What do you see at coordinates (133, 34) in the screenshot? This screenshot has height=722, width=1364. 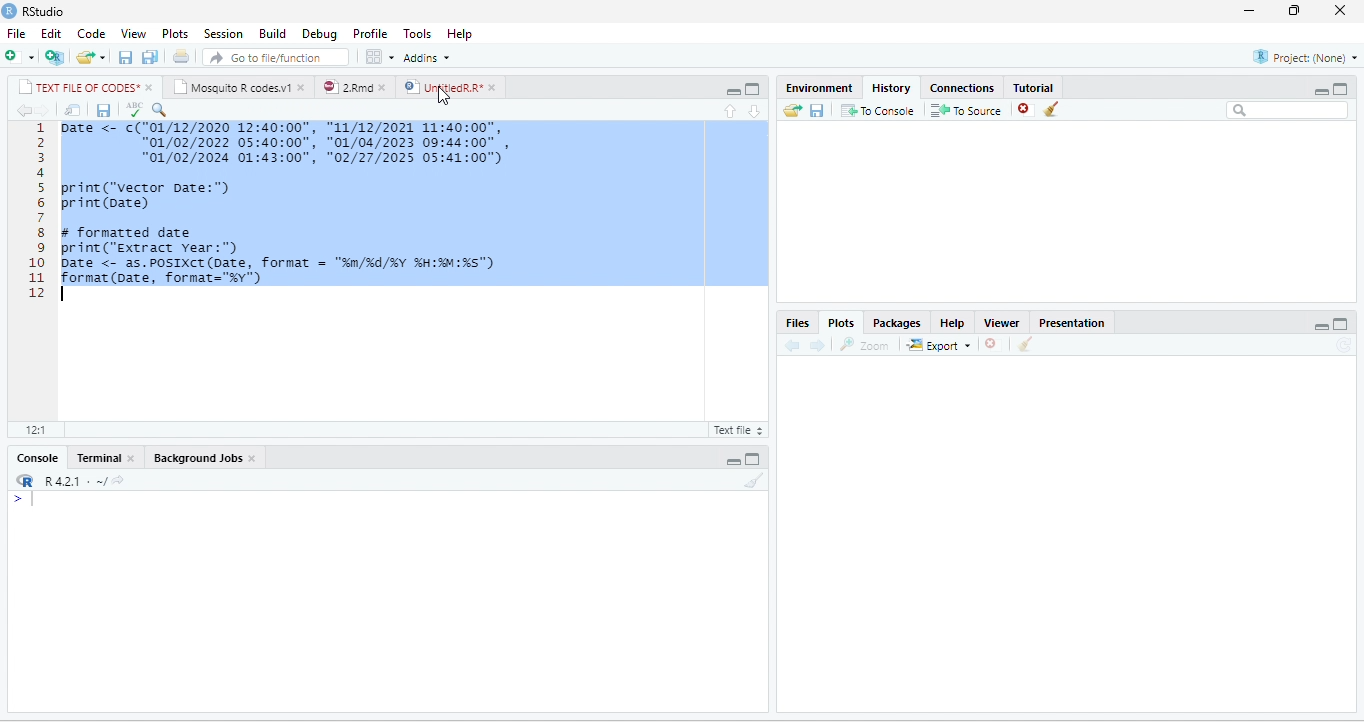 I see `View` at bounding box center [133, 34].